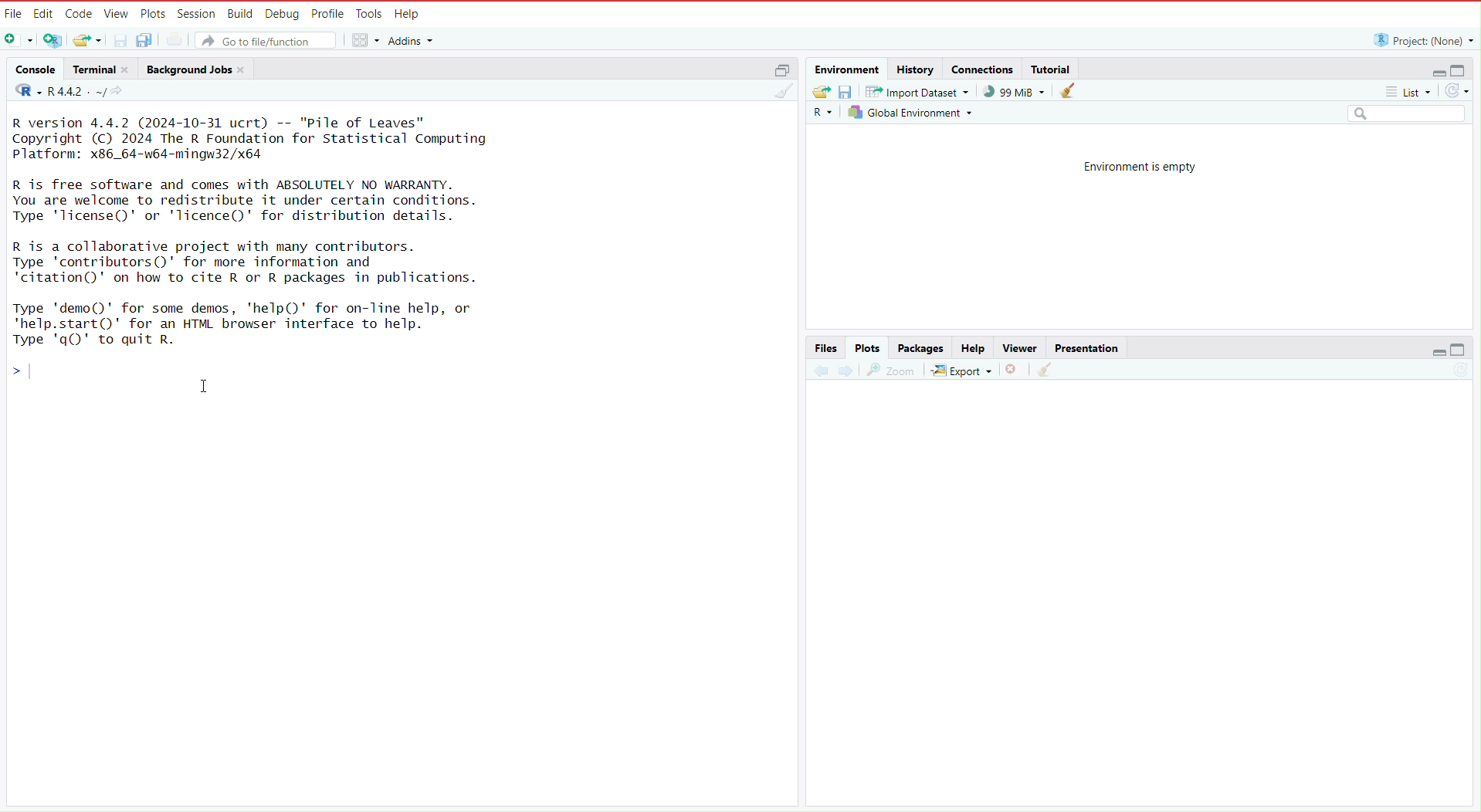 This screenshot has width=1481, height=812. Describe the element at coordinates (198, 11) in the screenshot. I see `session` at that location.